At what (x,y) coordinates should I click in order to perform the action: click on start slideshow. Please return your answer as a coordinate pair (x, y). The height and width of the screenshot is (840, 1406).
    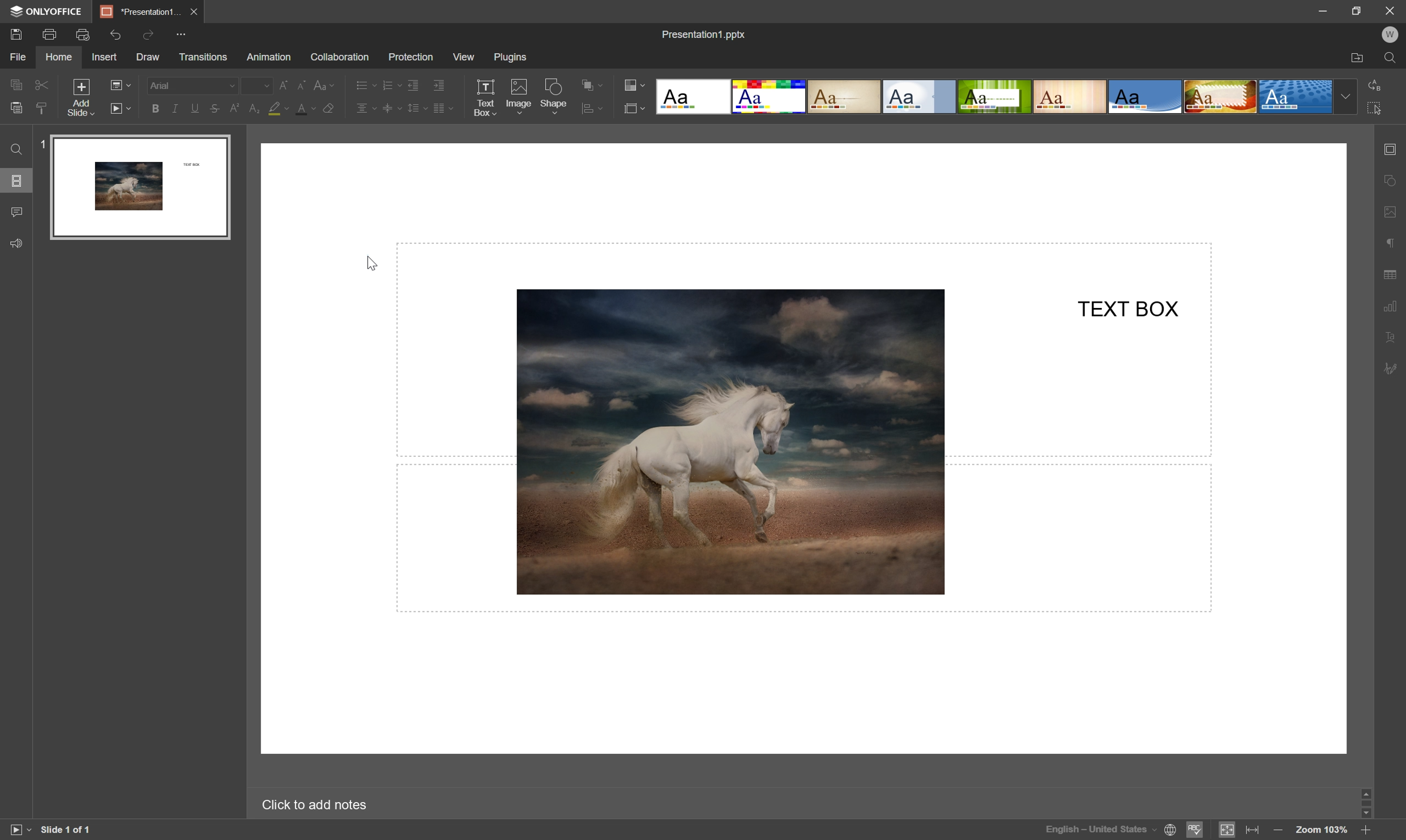
    Looking at the image, I should click on (16, 829).